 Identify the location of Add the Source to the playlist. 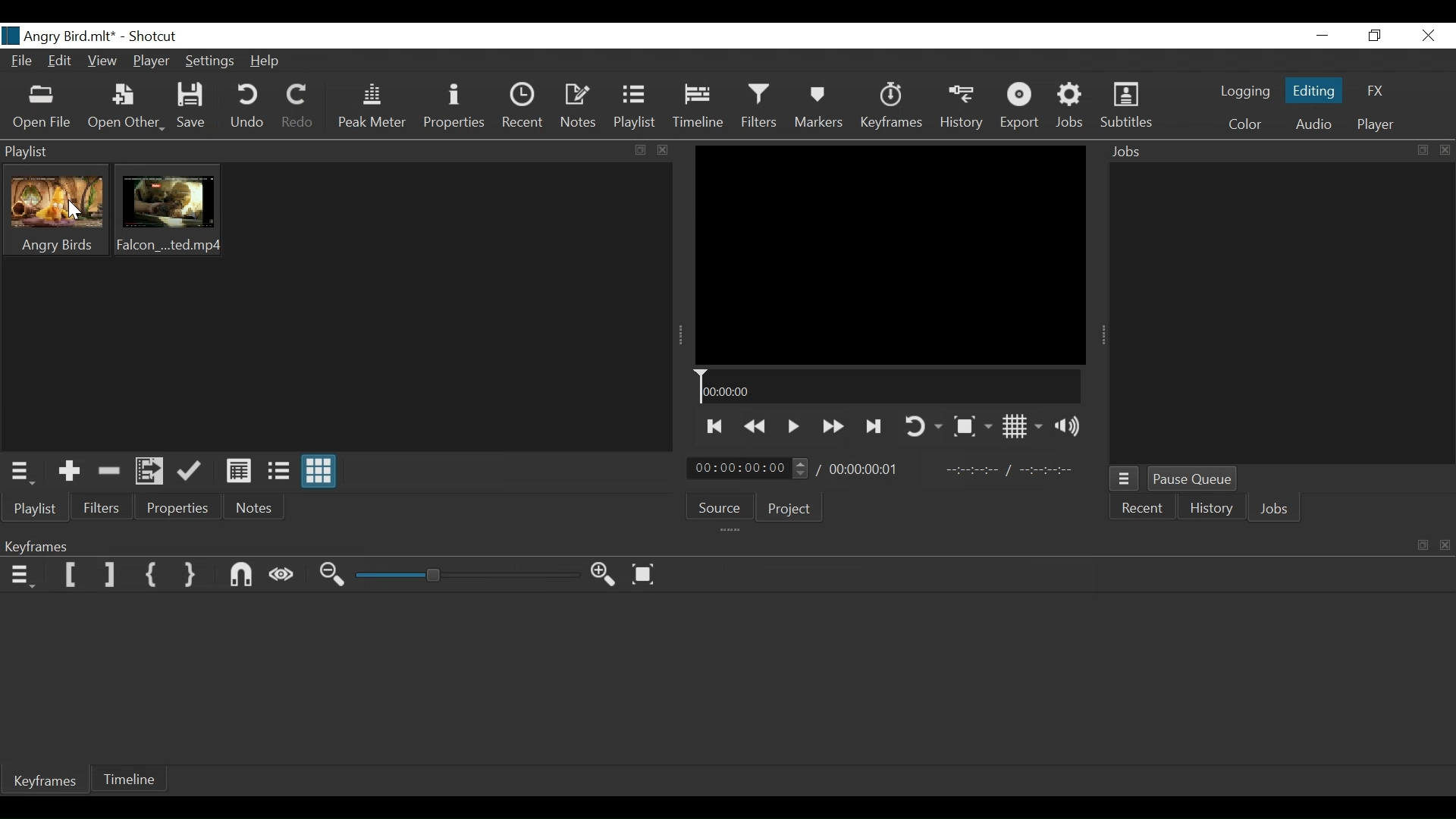
(67, 471).